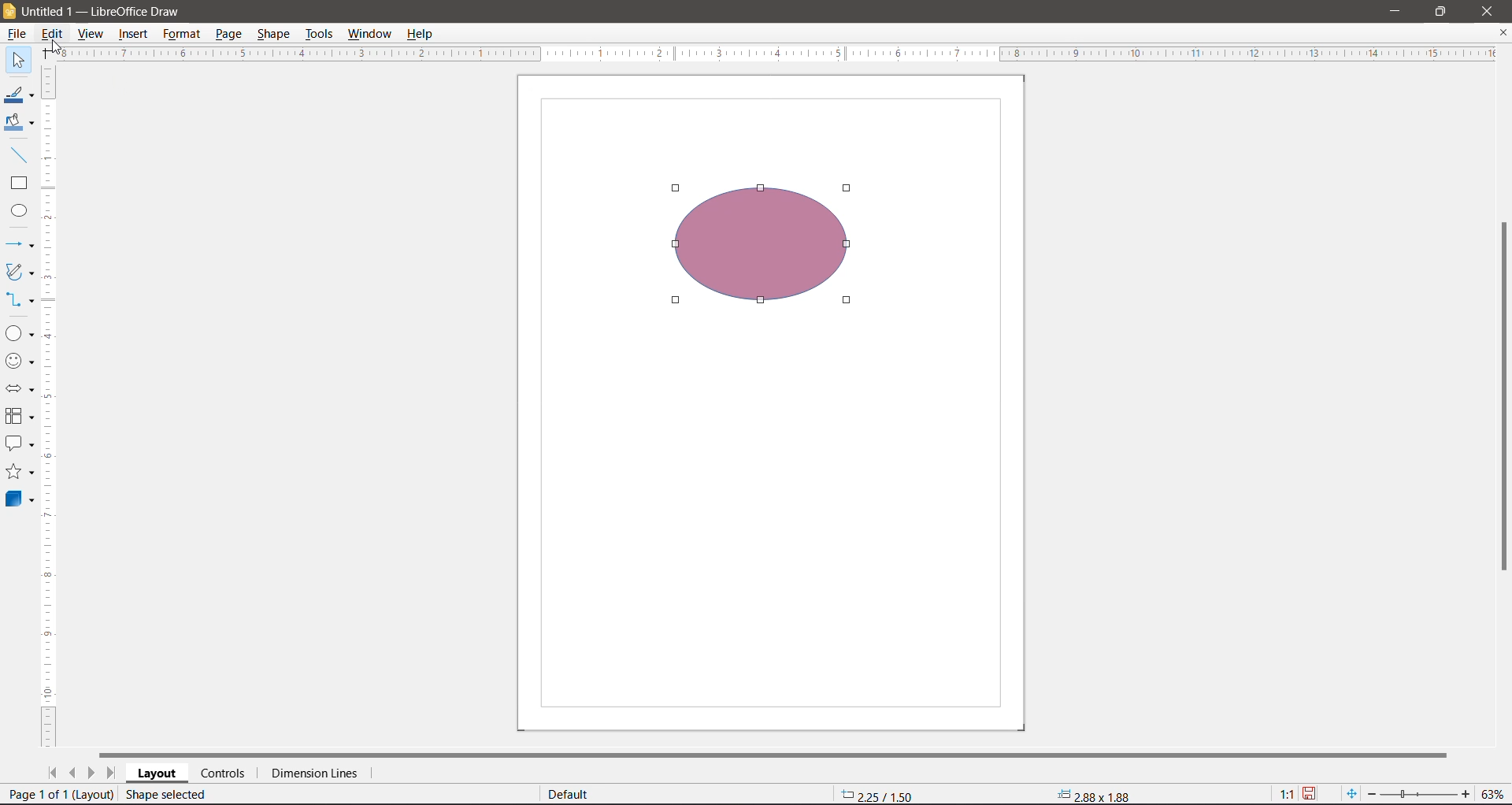 This screenshot has width=1512, height=805. Describe the element at coordinates (769, 54) in the screenshot. I see `Horizontal Ruler` at that location.